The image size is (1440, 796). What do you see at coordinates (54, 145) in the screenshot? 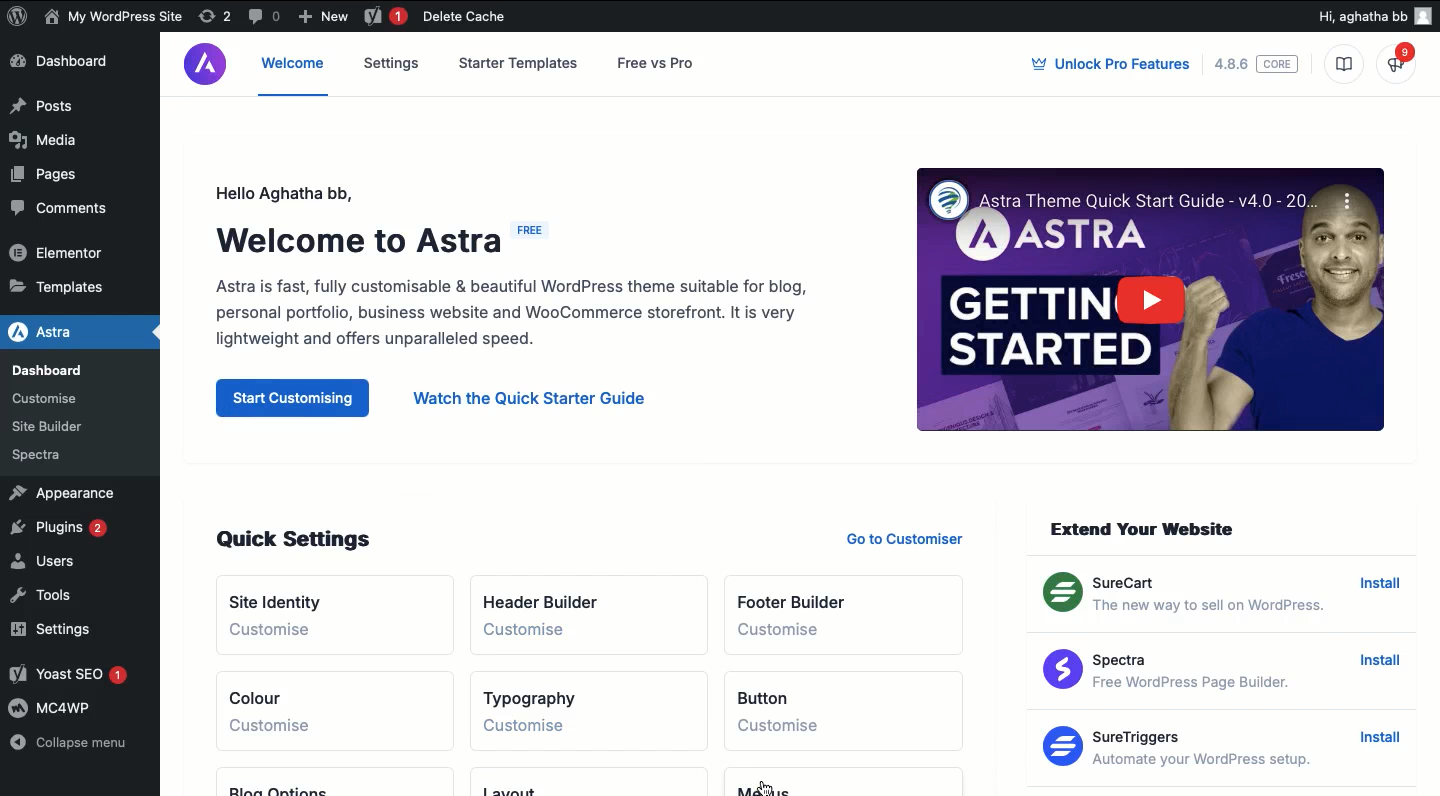
I see `Media` at bounding box center [54, 145].